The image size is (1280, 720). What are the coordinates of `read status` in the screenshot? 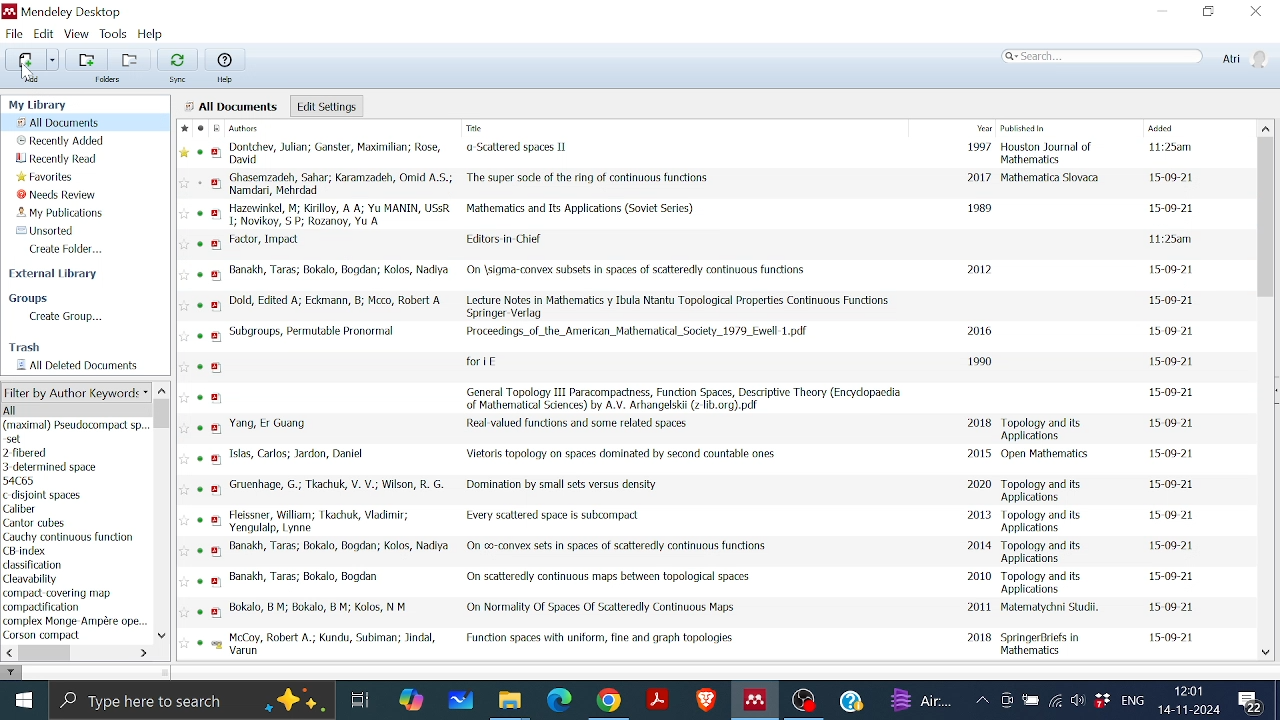 It's located at (202, 490).